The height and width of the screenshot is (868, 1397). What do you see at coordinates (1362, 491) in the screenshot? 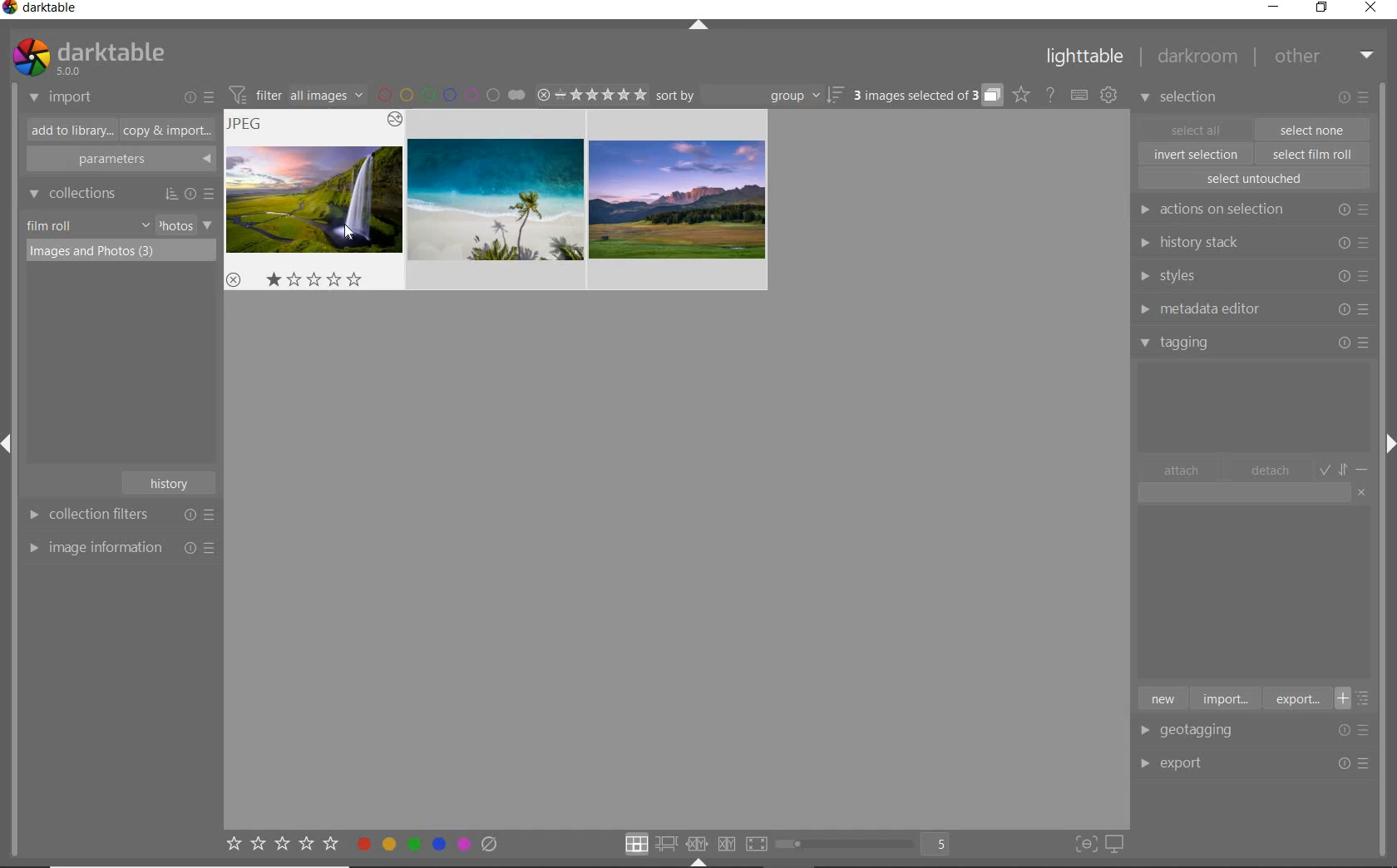
I see `clear entry` at bounding box center [1362, 491].